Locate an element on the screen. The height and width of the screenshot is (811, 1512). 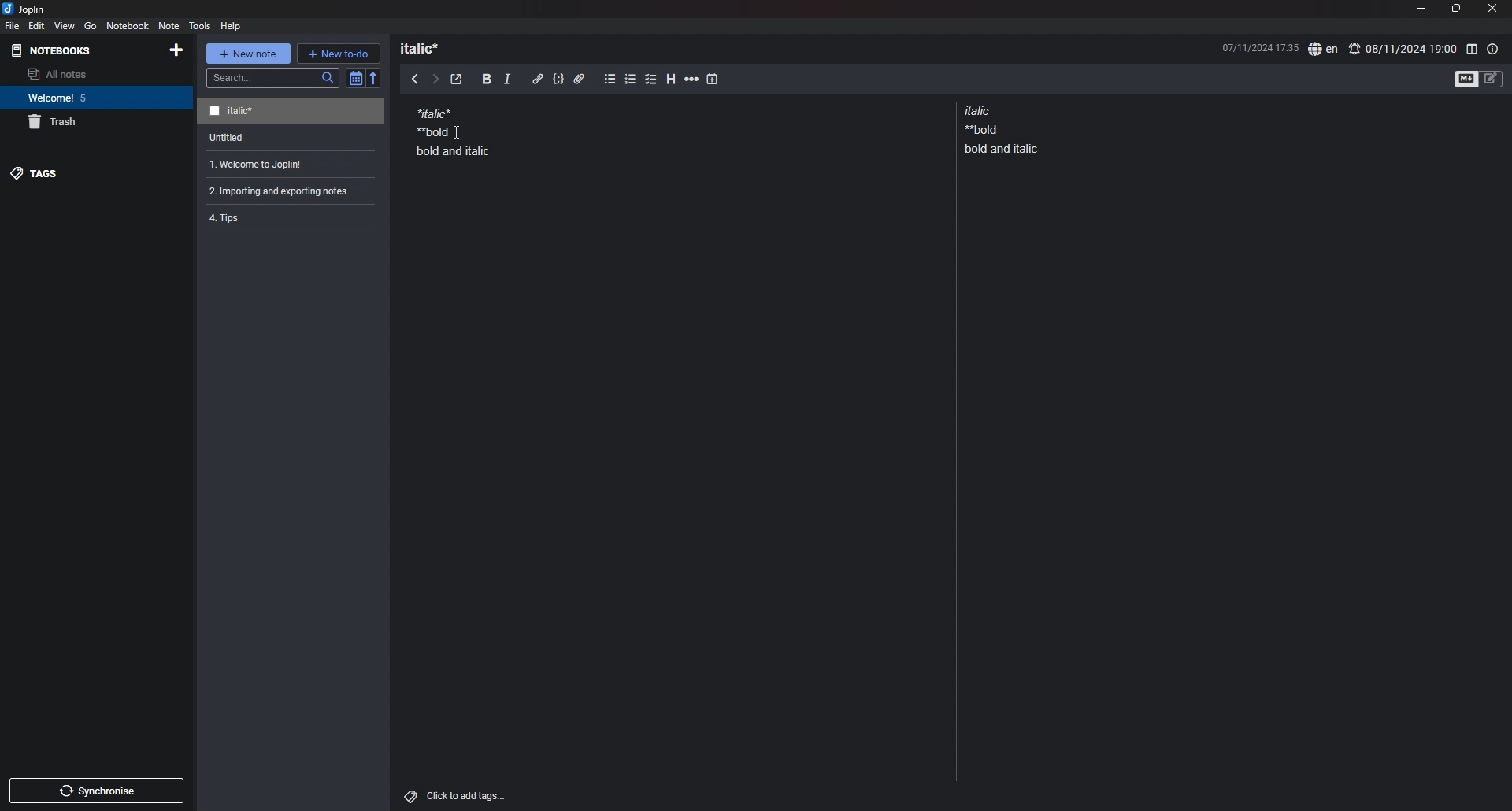
minimize is located at coordinates (1420, 8).